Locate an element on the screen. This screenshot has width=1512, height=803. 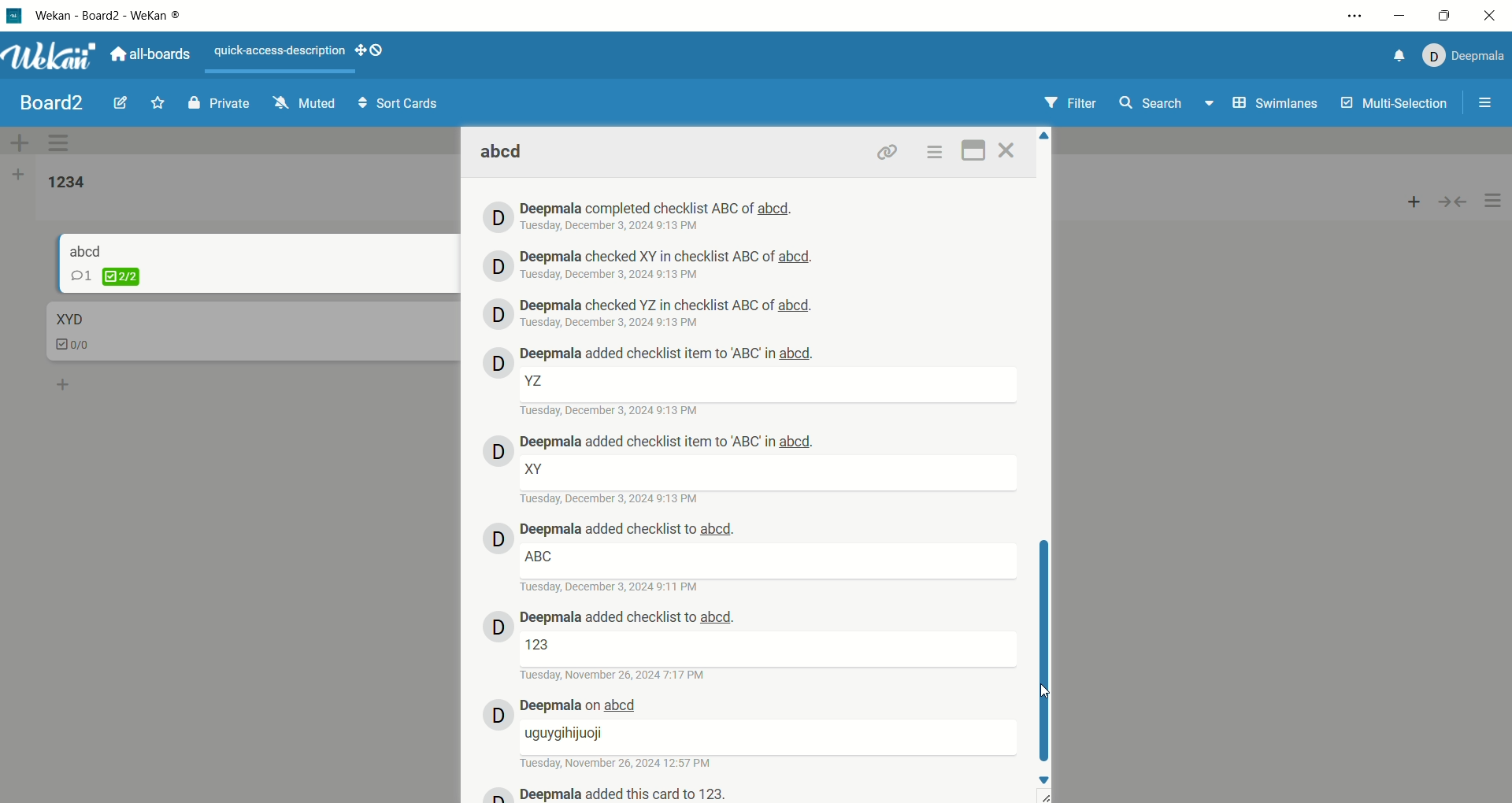
deepmala history is located at coordinates (669, 305).